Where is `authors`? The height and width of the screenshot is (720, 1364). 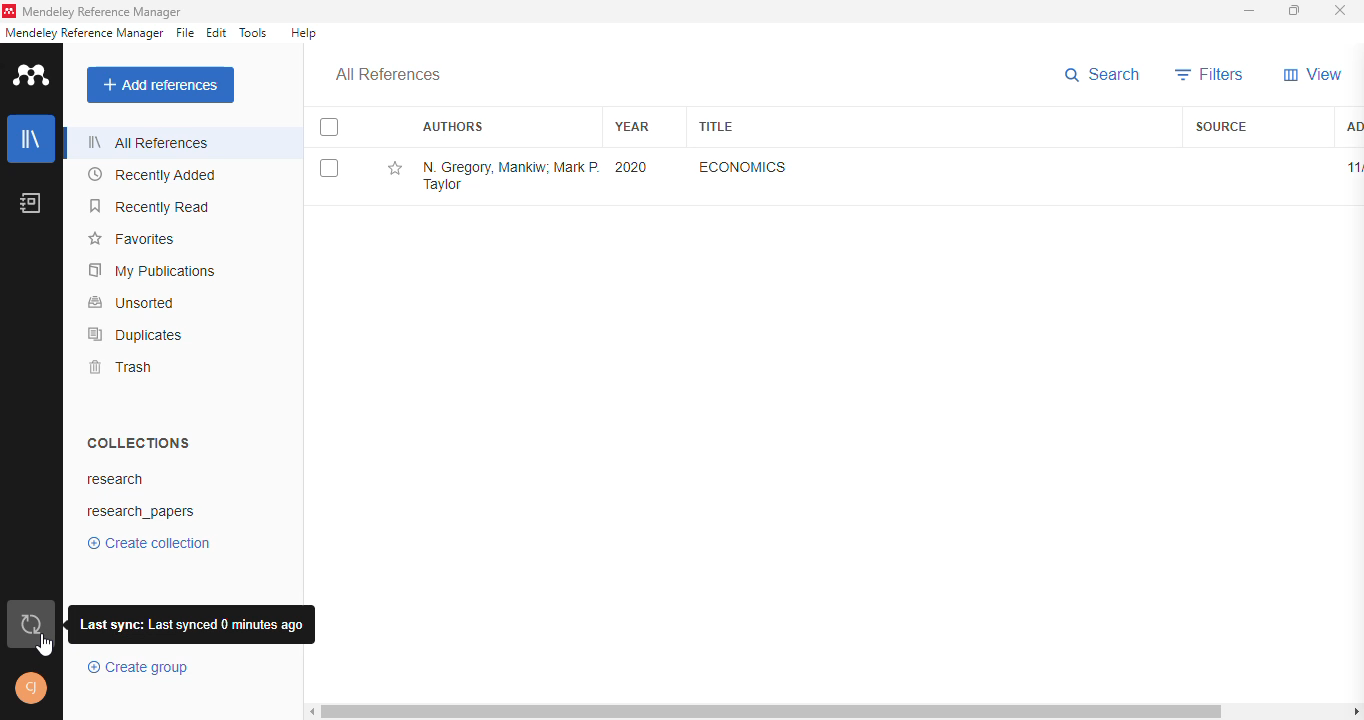 authors is located at coordinates (454, 126).